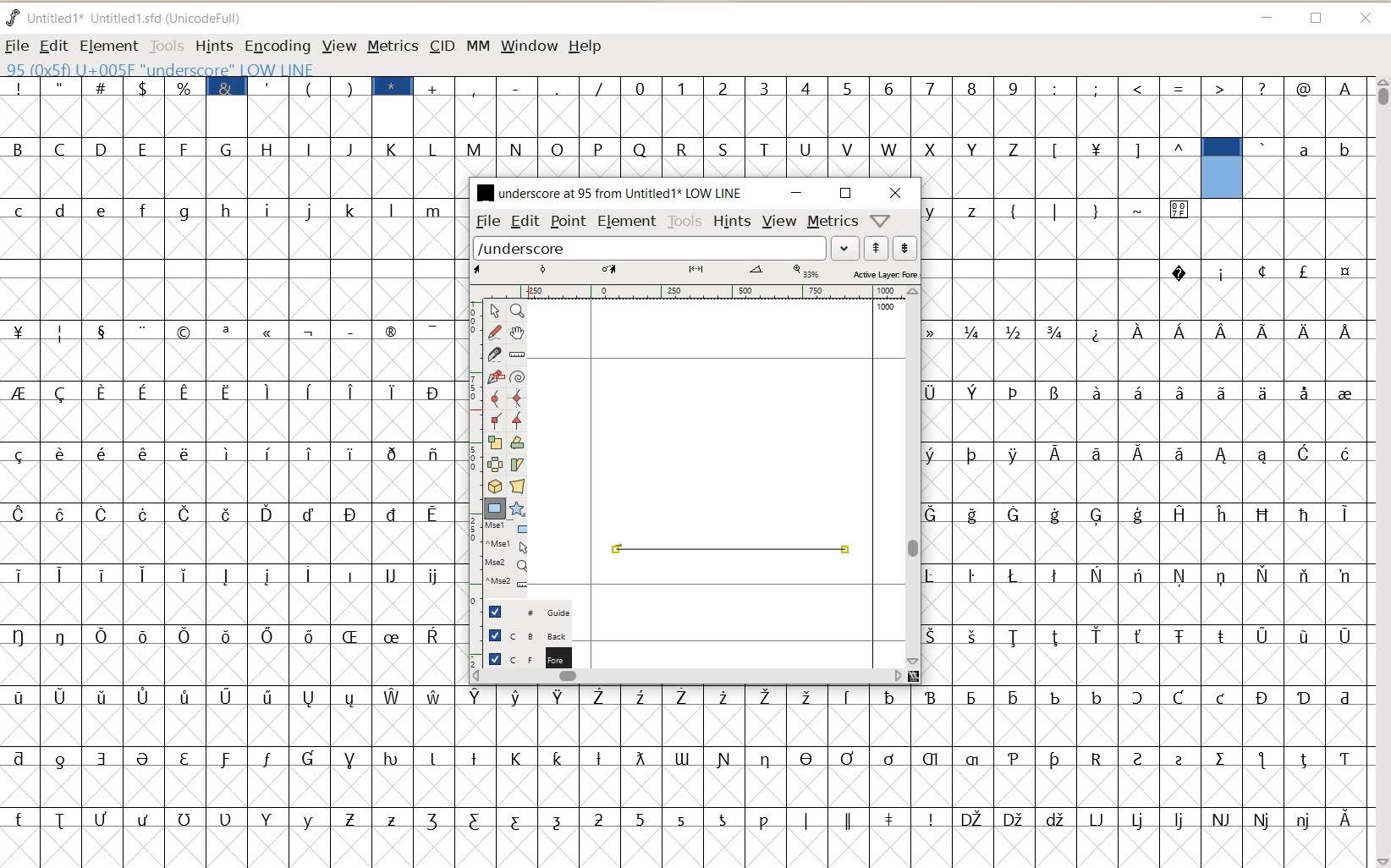 The height and width of the screenshot is (868, 1391). Describe the element at coordinates (530, 47) in the screenshot. I see `WINDOW` at that location.